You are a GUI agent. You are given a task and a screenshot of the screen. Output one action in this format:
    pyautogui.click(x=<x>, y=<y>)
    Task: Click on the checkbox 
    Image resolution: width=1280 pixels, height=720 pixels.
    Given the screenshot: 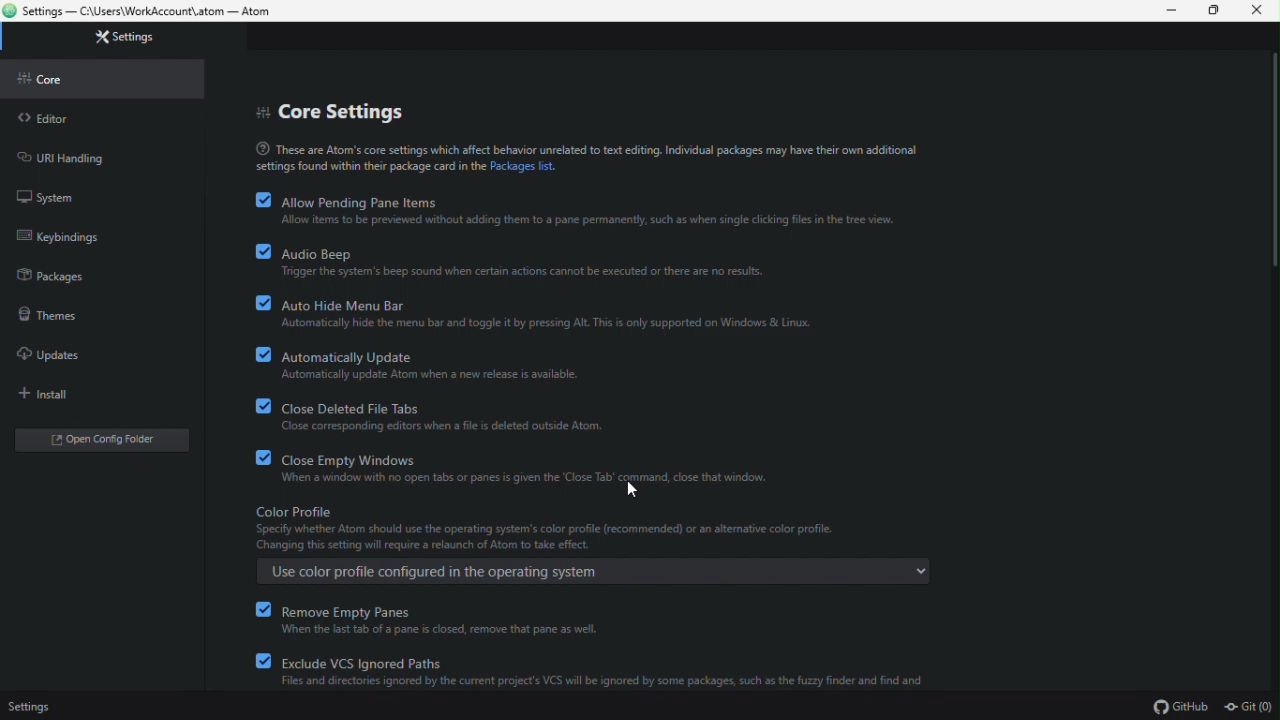 What is the action you would take?
    pyautogui.click(x=262, y=252)
    